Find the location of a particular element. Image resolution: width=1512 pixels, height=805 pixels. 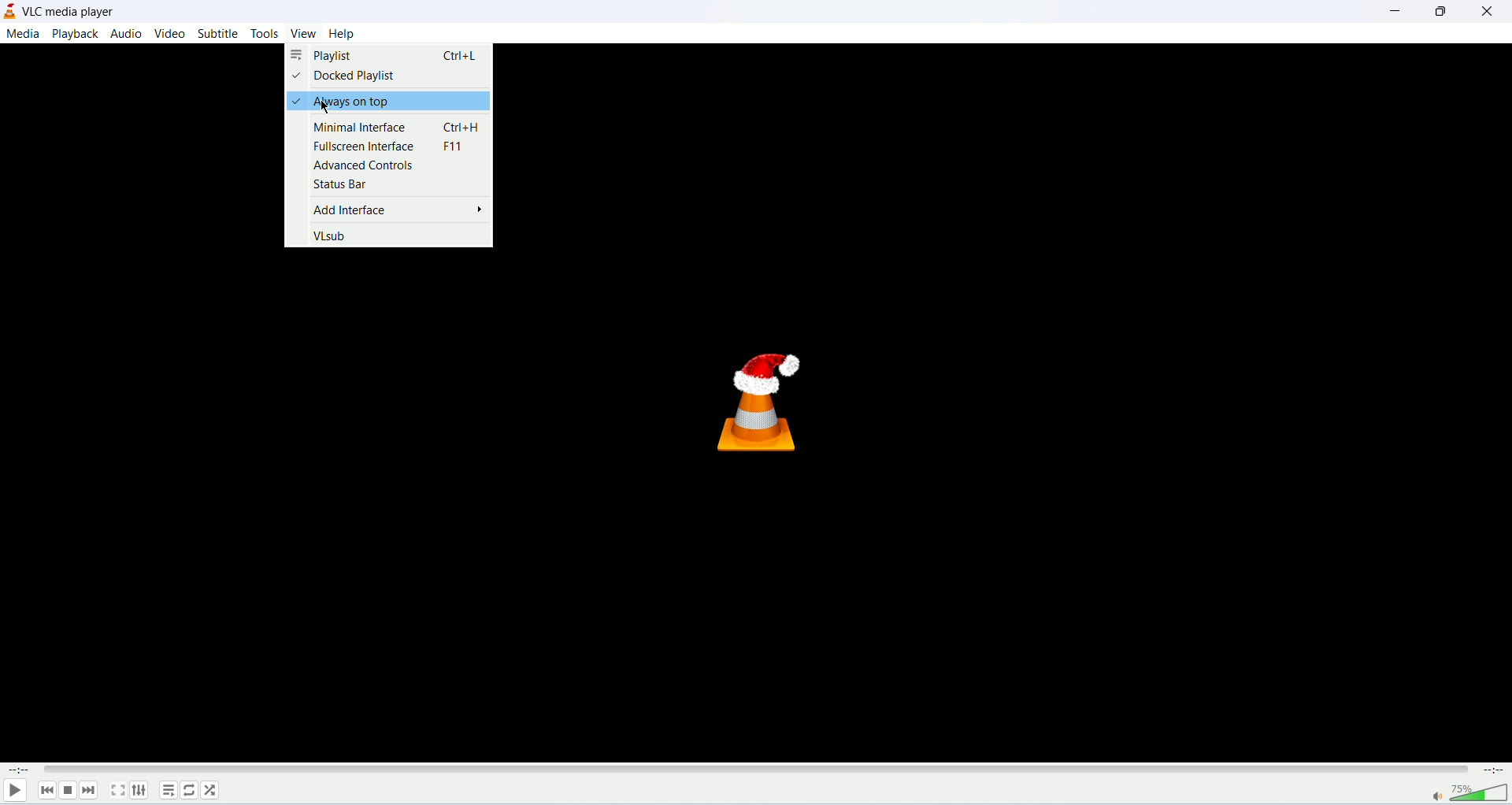

next is located at coordinates (90, 790).